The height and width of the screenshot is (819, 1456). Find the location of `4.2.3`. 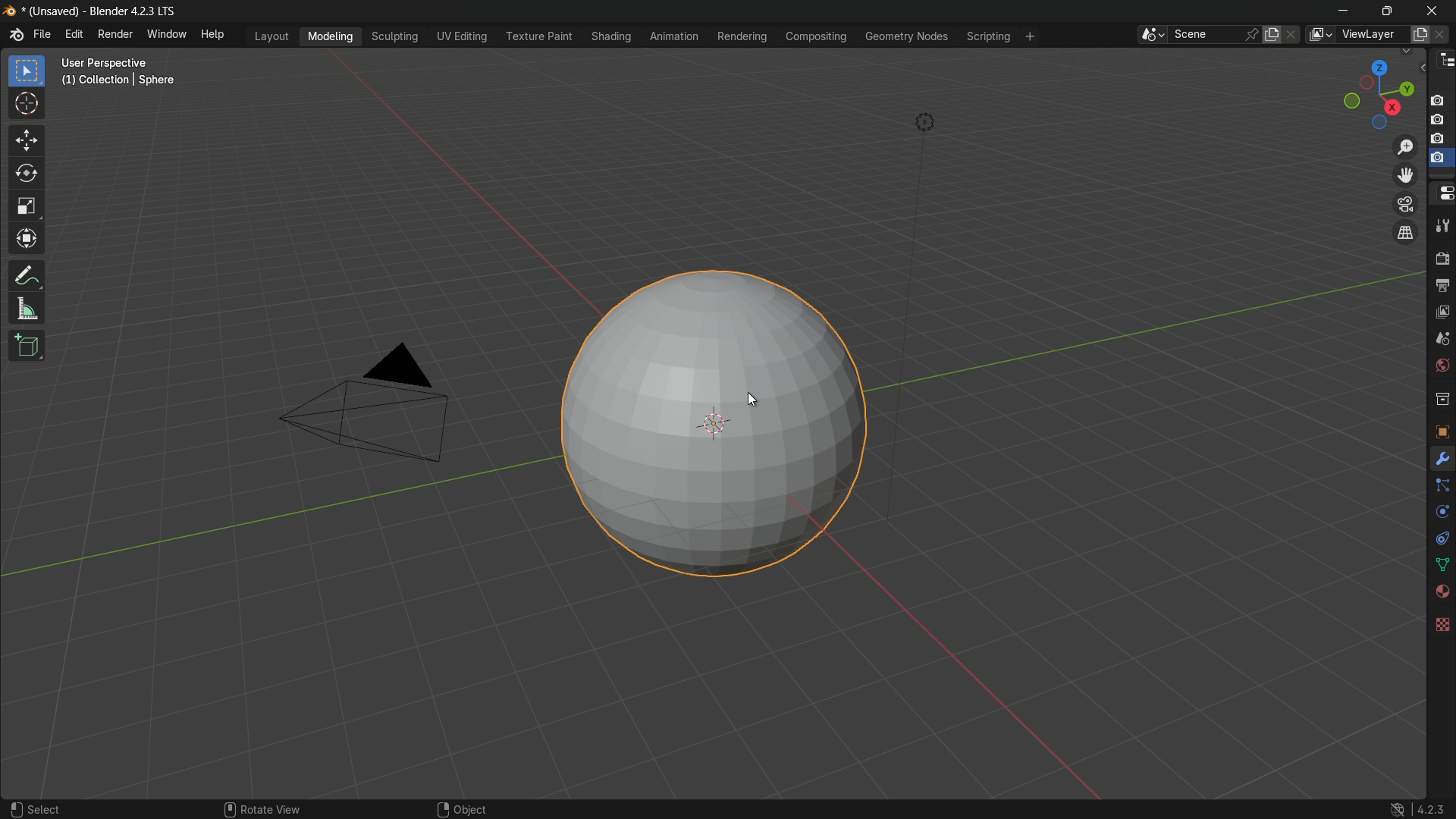

4.2.3 is located at coordinates (1414, 802).